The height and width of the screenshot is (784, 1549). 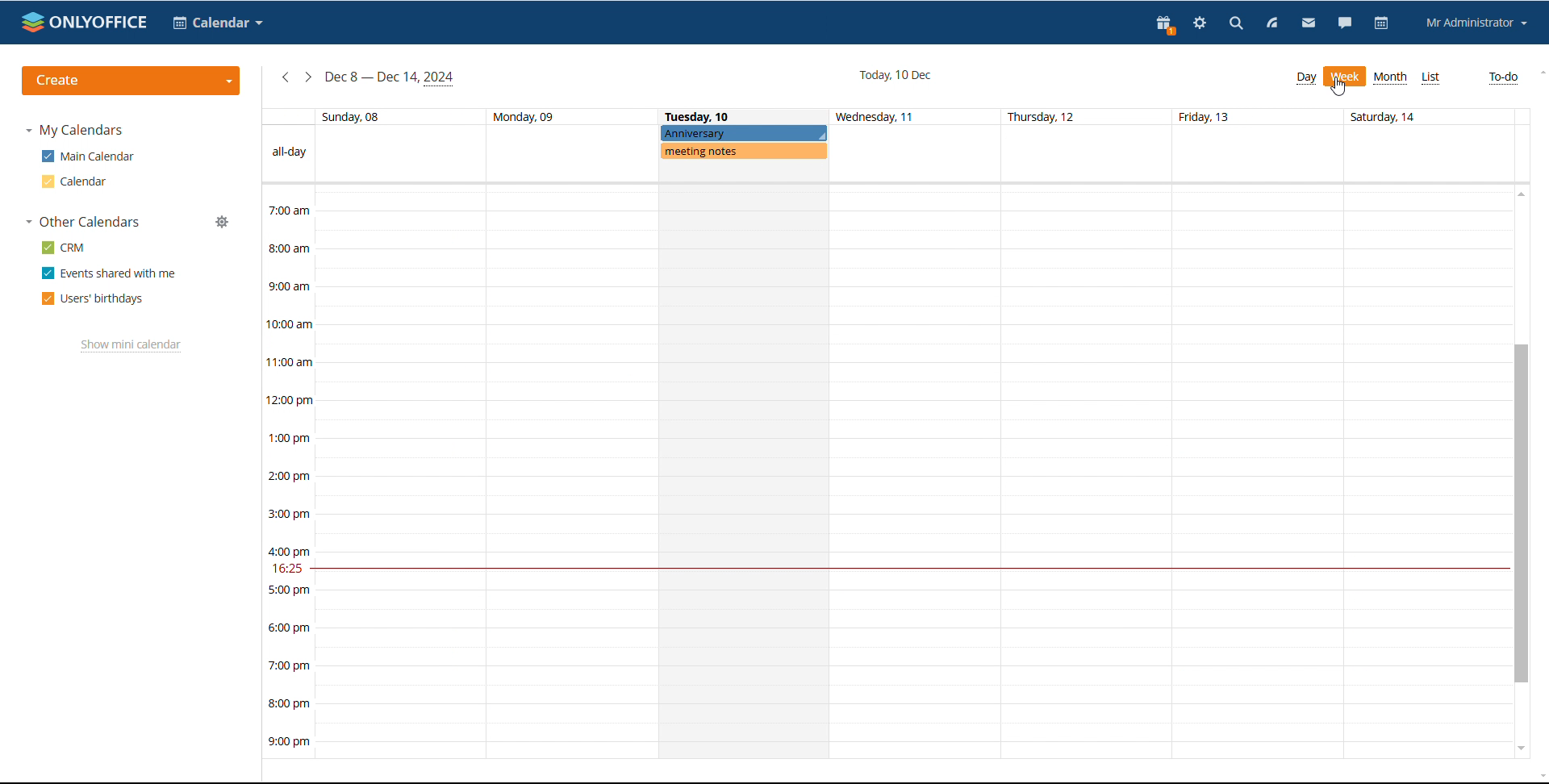 What do you see at coordinates (288, 472) in the screenshot?
I see `timeline` at bounding box center [288, 472].